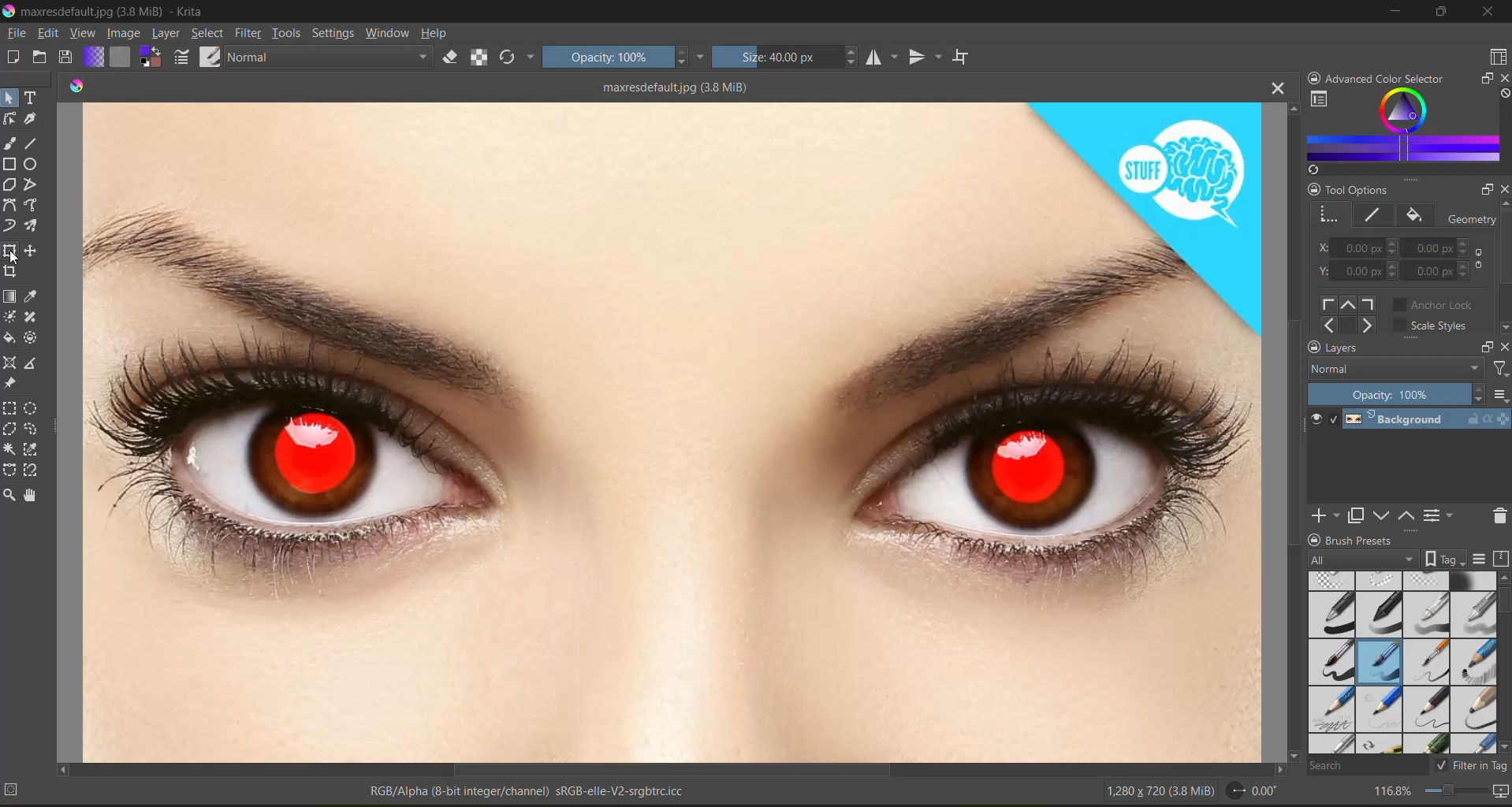 The image size is (1512, 807). Describe the element at coordinates (1159, 794) in the screenshot. I see `image metadata` at that location.